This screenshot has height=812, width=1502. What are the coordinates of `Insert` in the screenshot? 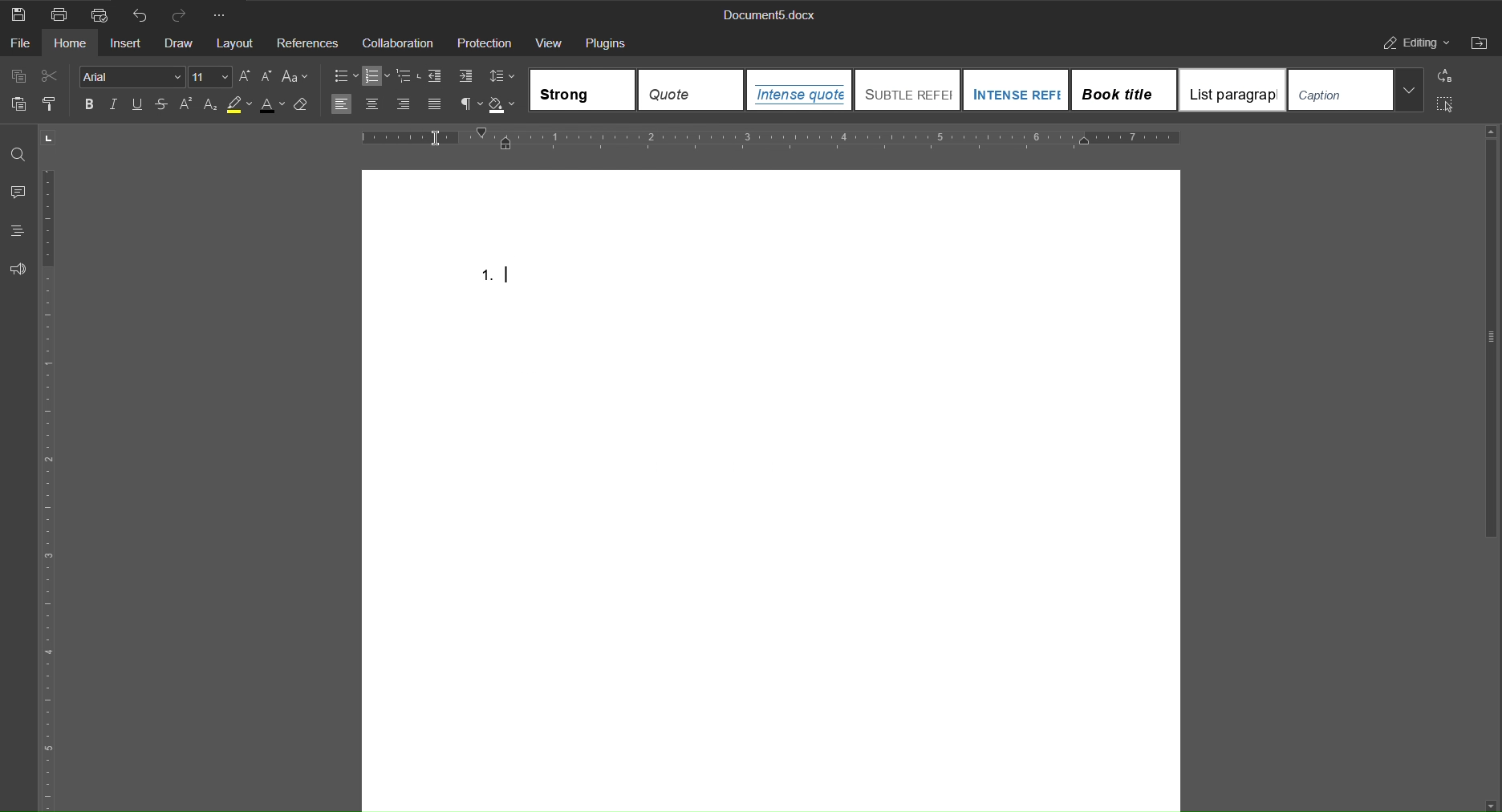 It's located at (127, 45).